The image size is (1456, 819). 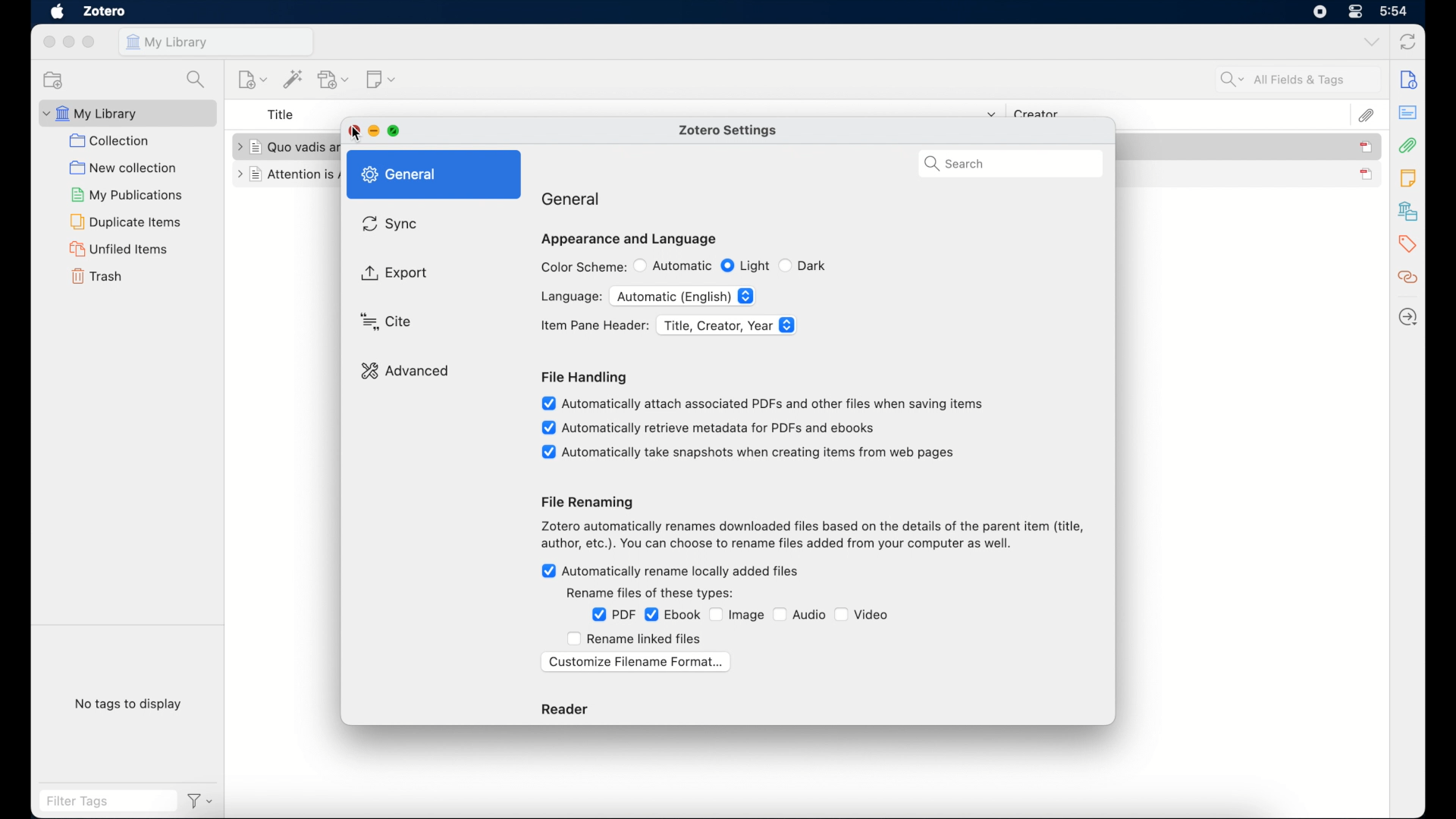 I want to click on image, so click(x=736, y=614).